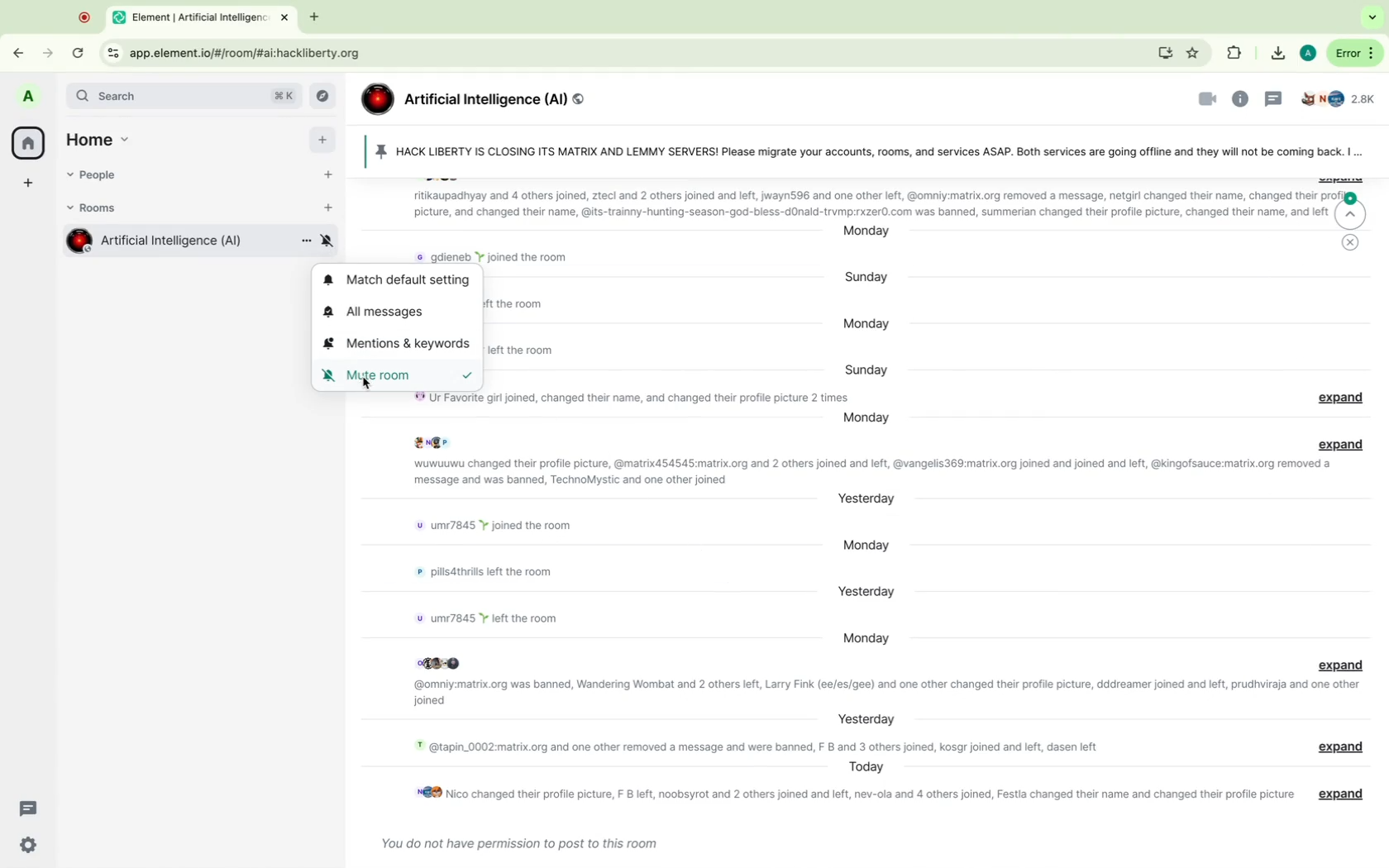 Image resolution: width=1389 pixels, height=868 pixels. I want to click on all messages, so click(394, 312).